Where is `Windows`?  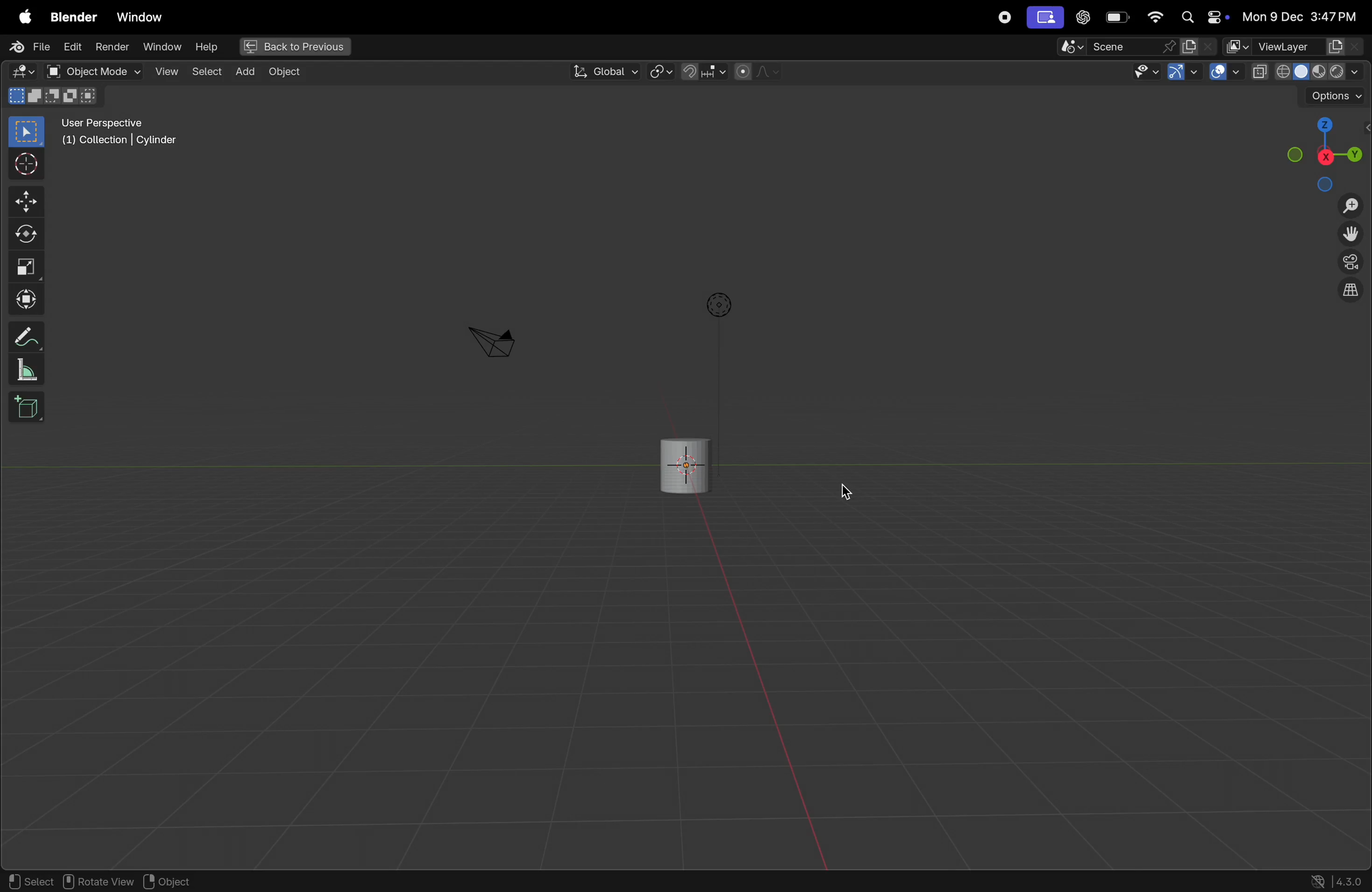
Windows is located at coordinates (140, 14).